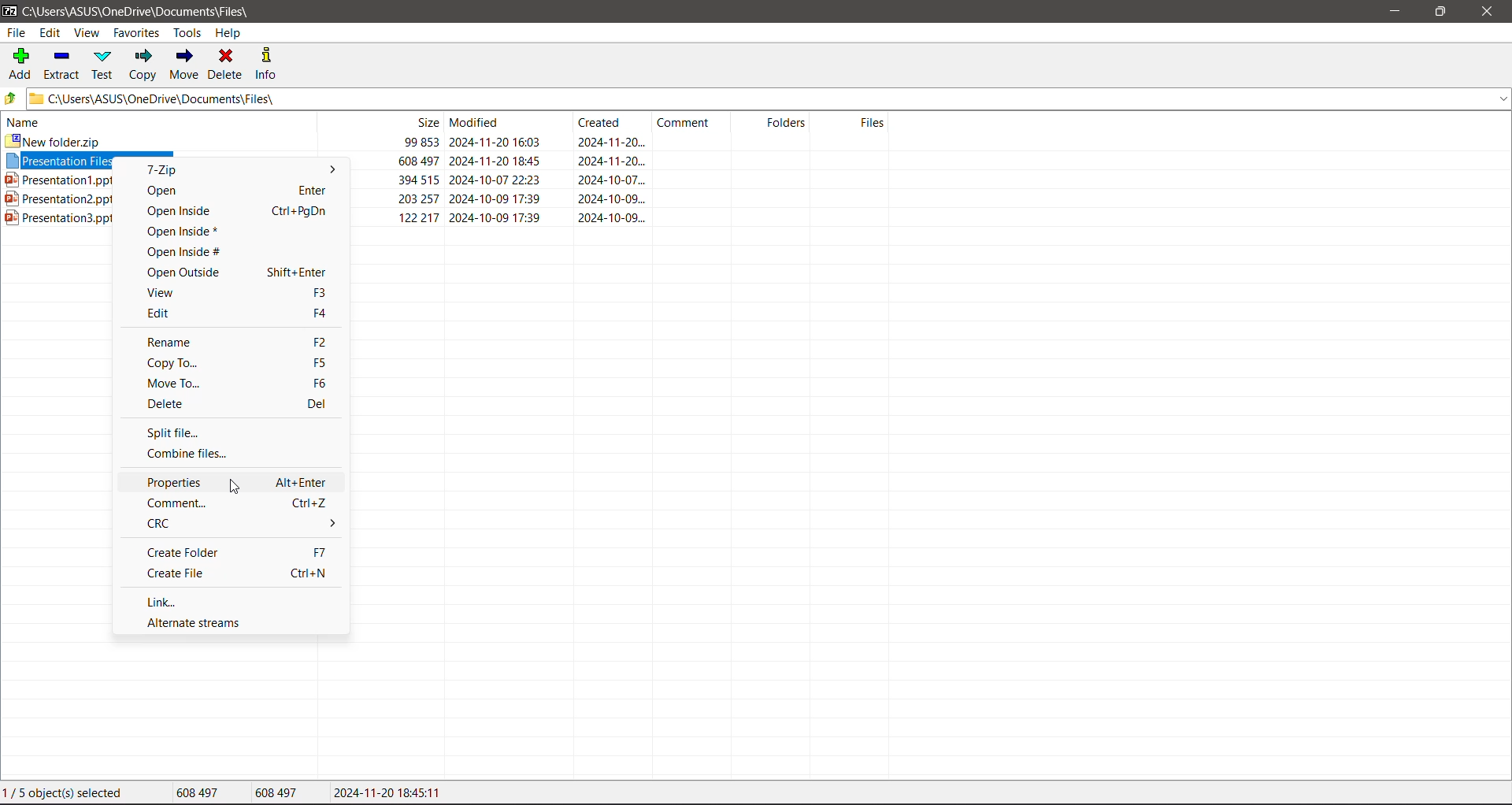 Image resolution: width=1512 pixels, height=805 pixels. Describe the element at coordinates (234, 292) in the screenshot. I see `View` at that location.